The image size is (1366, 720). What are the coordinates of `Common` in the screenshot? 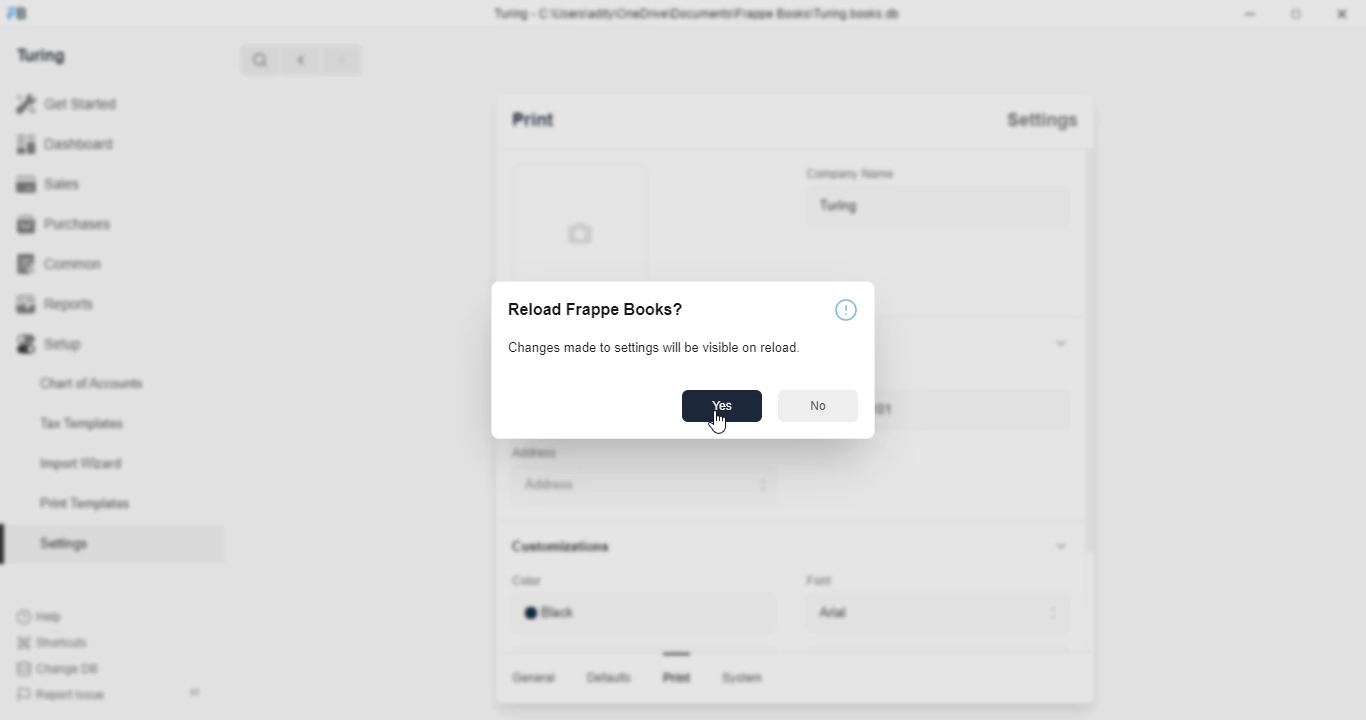 It's located at (108, 262).